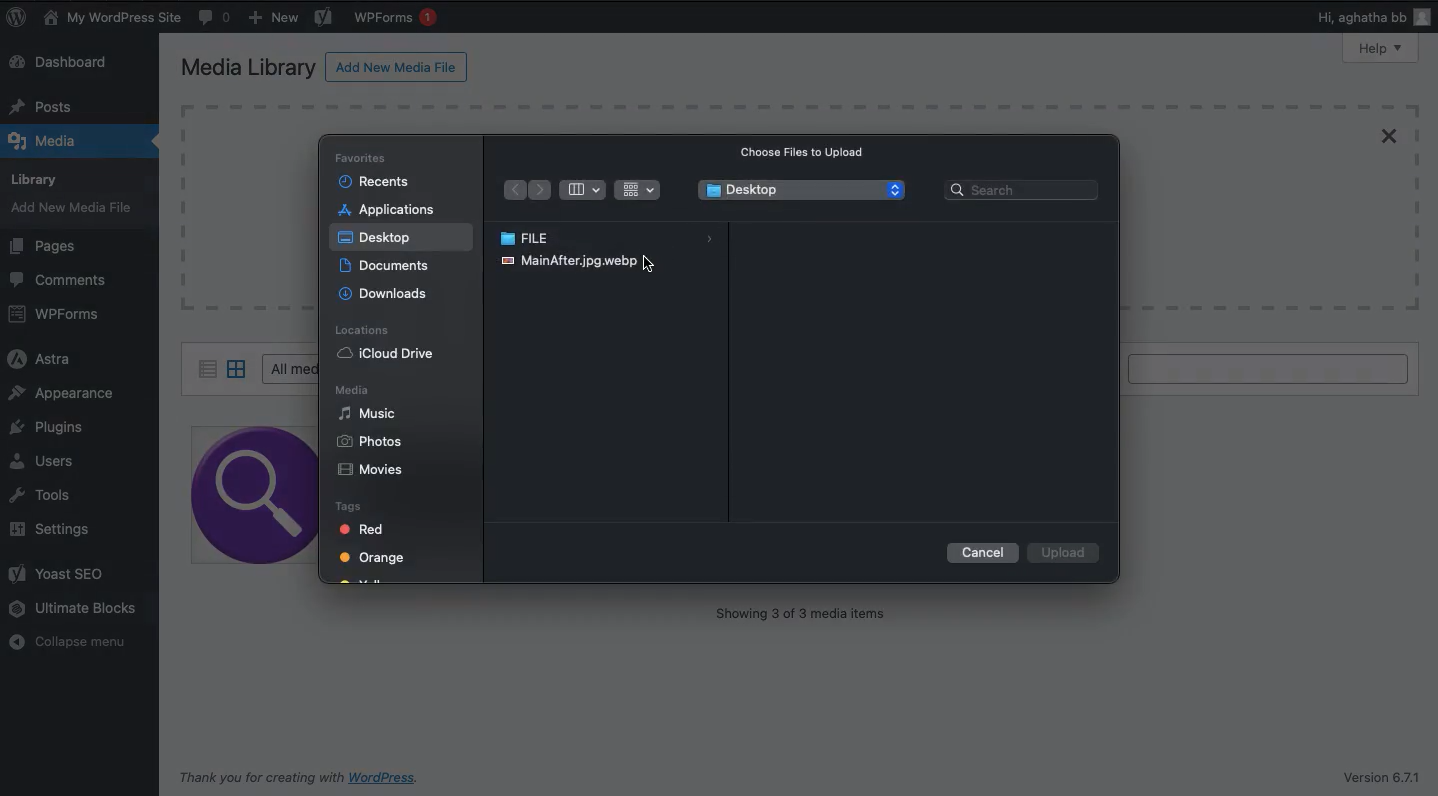  Describe the element at coordinates (385, 209) in the screenshot. I see `Applications` at that location.